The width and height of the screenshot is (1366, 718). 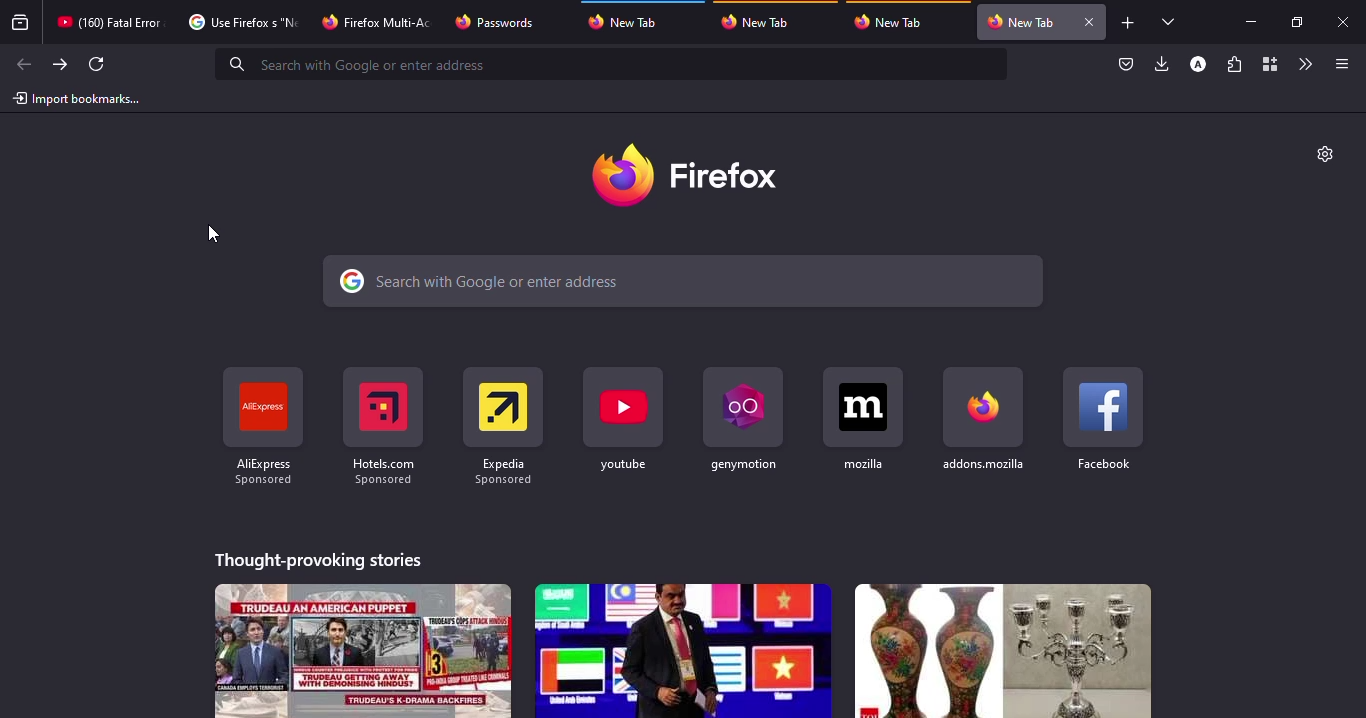 What do you see at coordinates (24, 64) in the screenshot?
I see `back` at bounding box center [24, 64].